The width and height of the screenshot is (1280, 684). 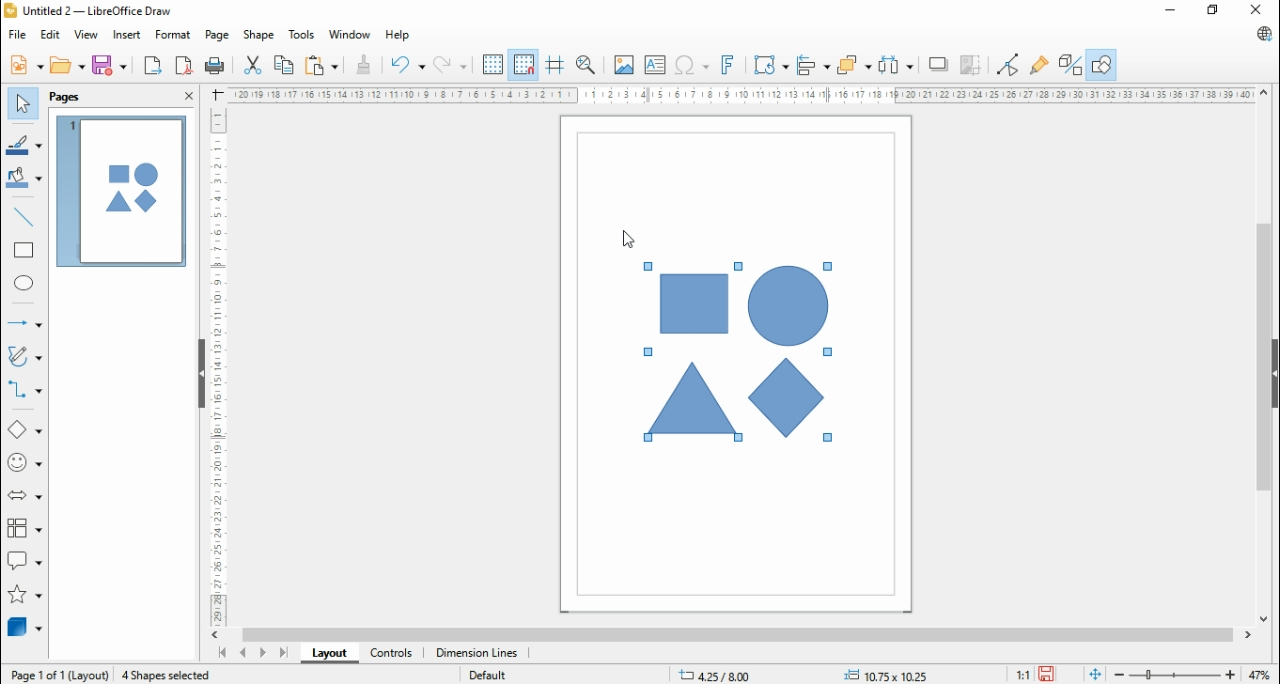 I want to click on align objects, so click(x=811, y=64).